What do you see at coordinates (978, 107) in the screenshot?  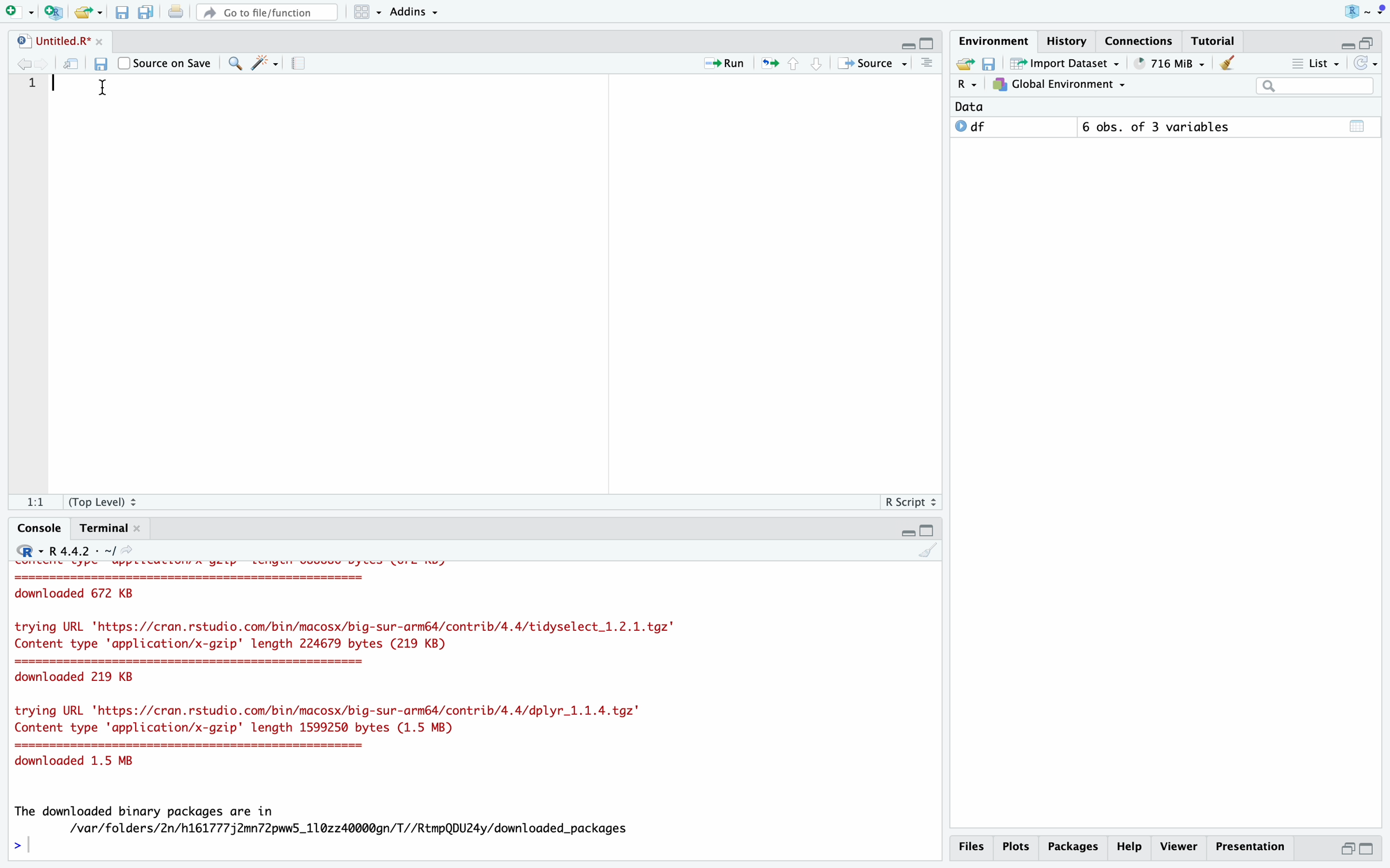 I see `Data` at bounding box center [978, 107].